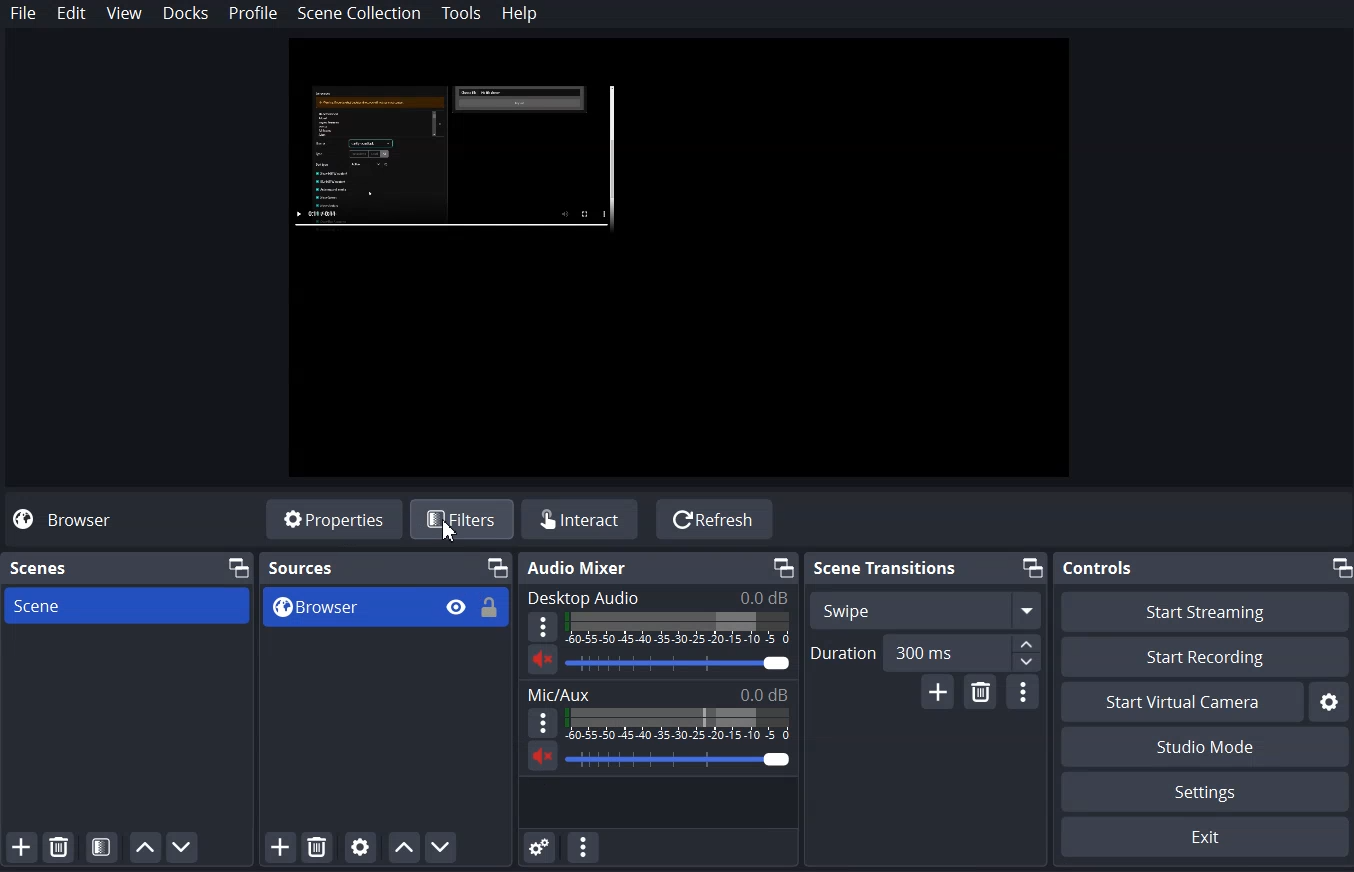  I want to click on Edit, so click(73, 13).